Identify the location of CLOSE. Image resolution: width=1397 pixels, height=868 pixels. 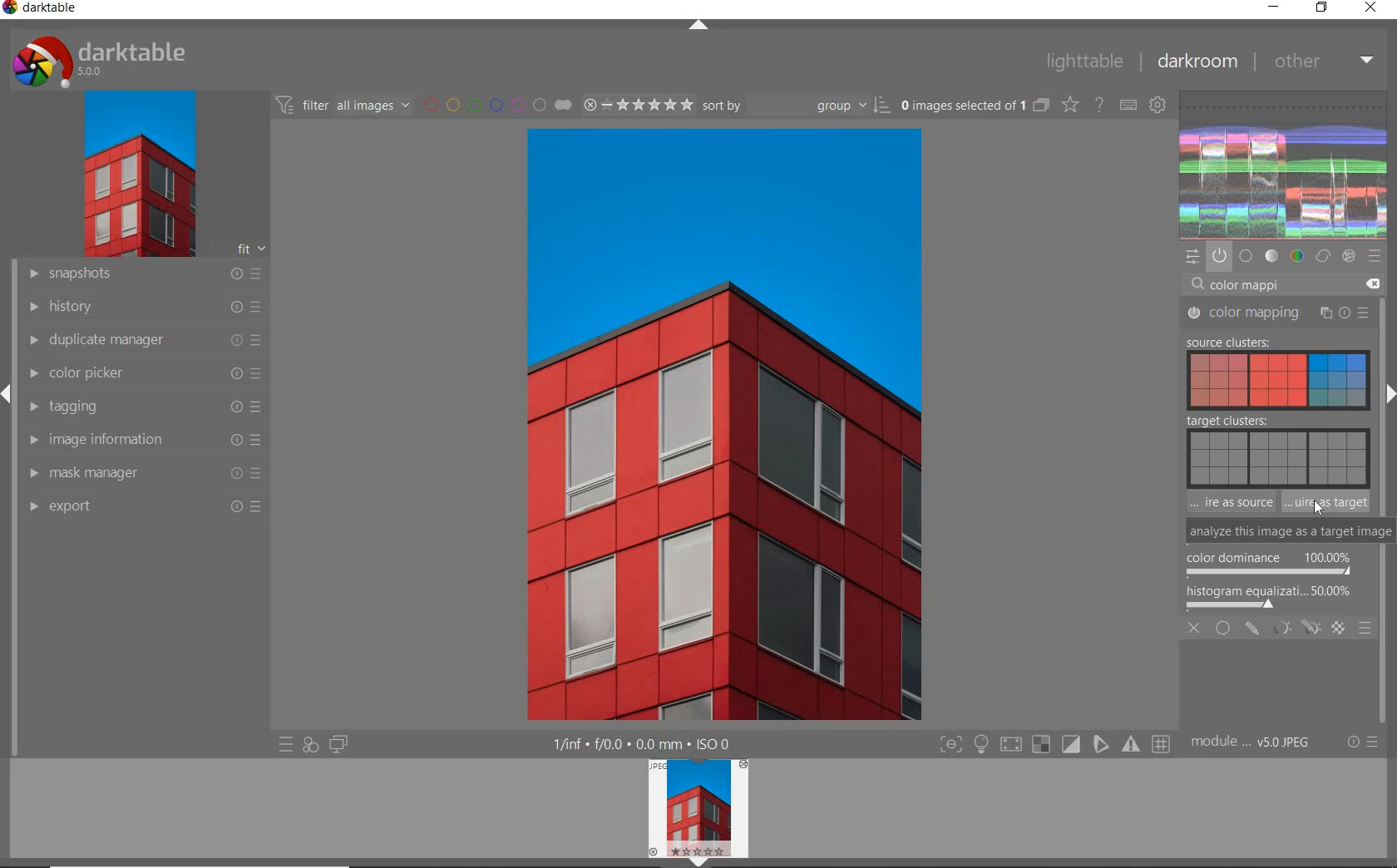
(1196, 630).